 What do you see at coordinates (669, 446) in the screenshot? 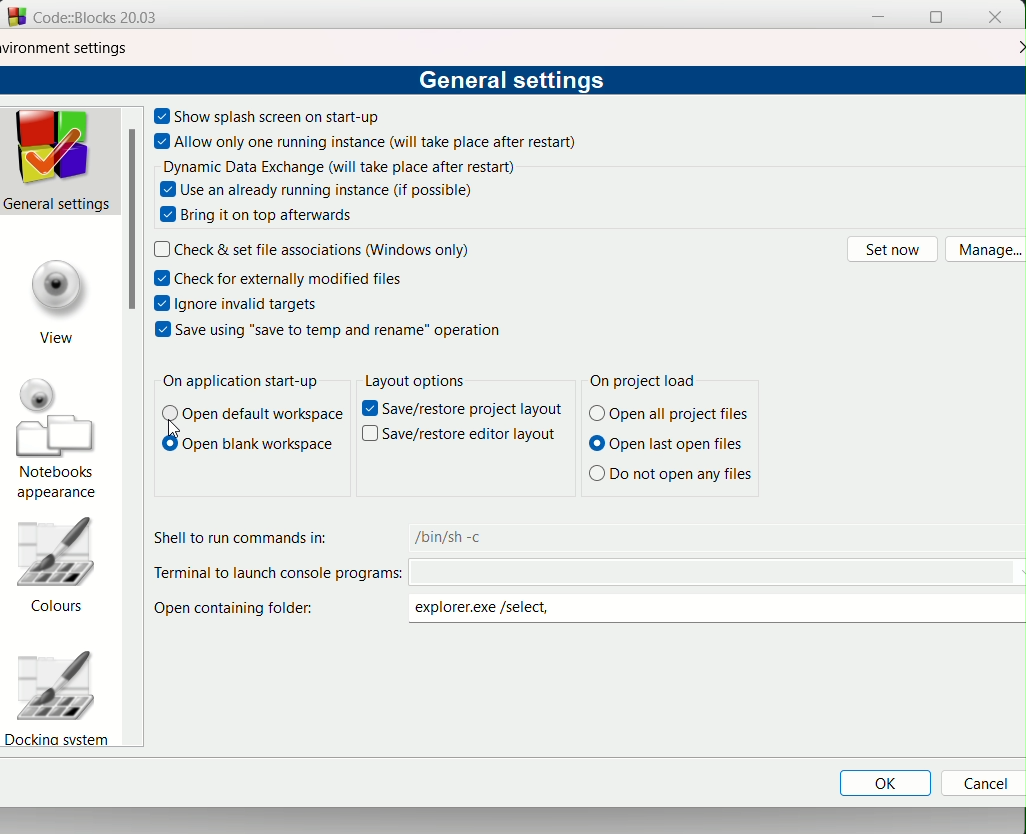
I see `Open last open files` at bounding box center [669, 446].